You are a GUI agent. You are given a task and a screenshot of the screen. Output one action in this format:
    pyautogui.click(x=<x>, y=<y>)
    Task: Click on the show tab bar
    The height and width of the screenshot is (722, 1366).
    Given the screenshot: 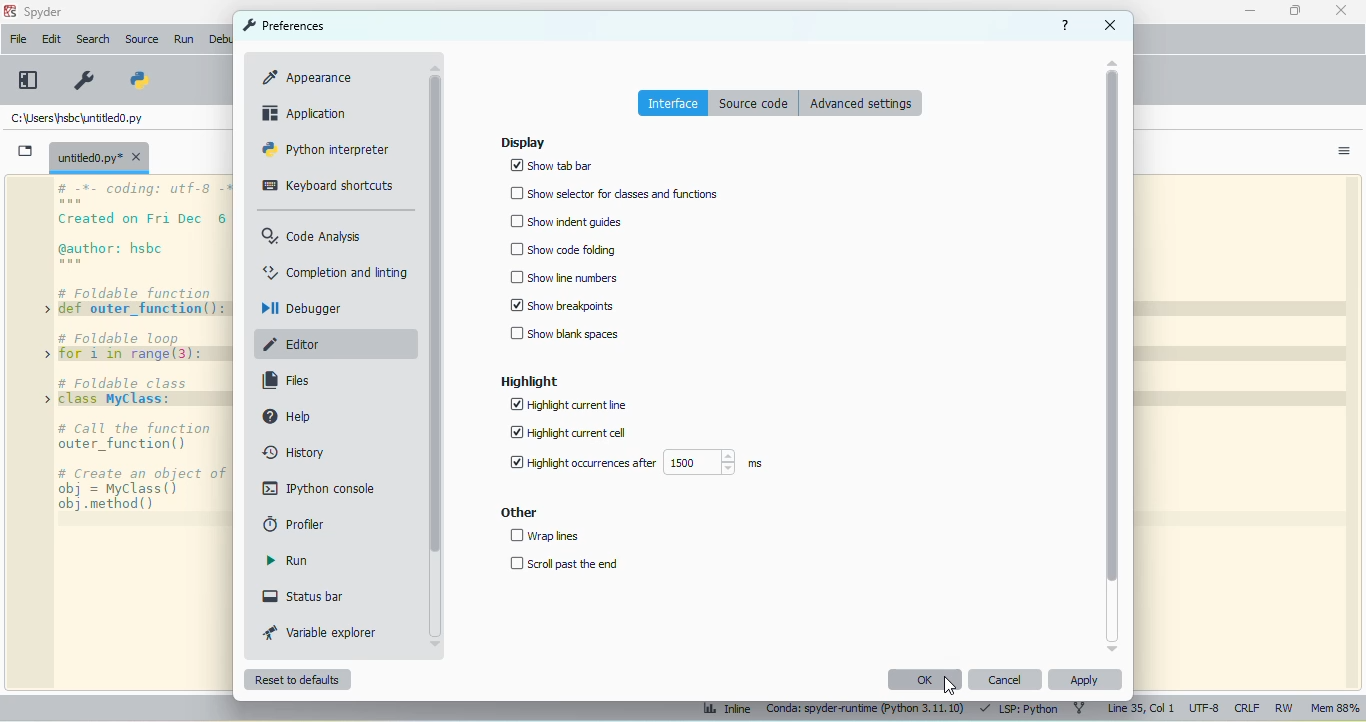 What is the action you would take?
    pyautogui.click(x=551, y=165)
    